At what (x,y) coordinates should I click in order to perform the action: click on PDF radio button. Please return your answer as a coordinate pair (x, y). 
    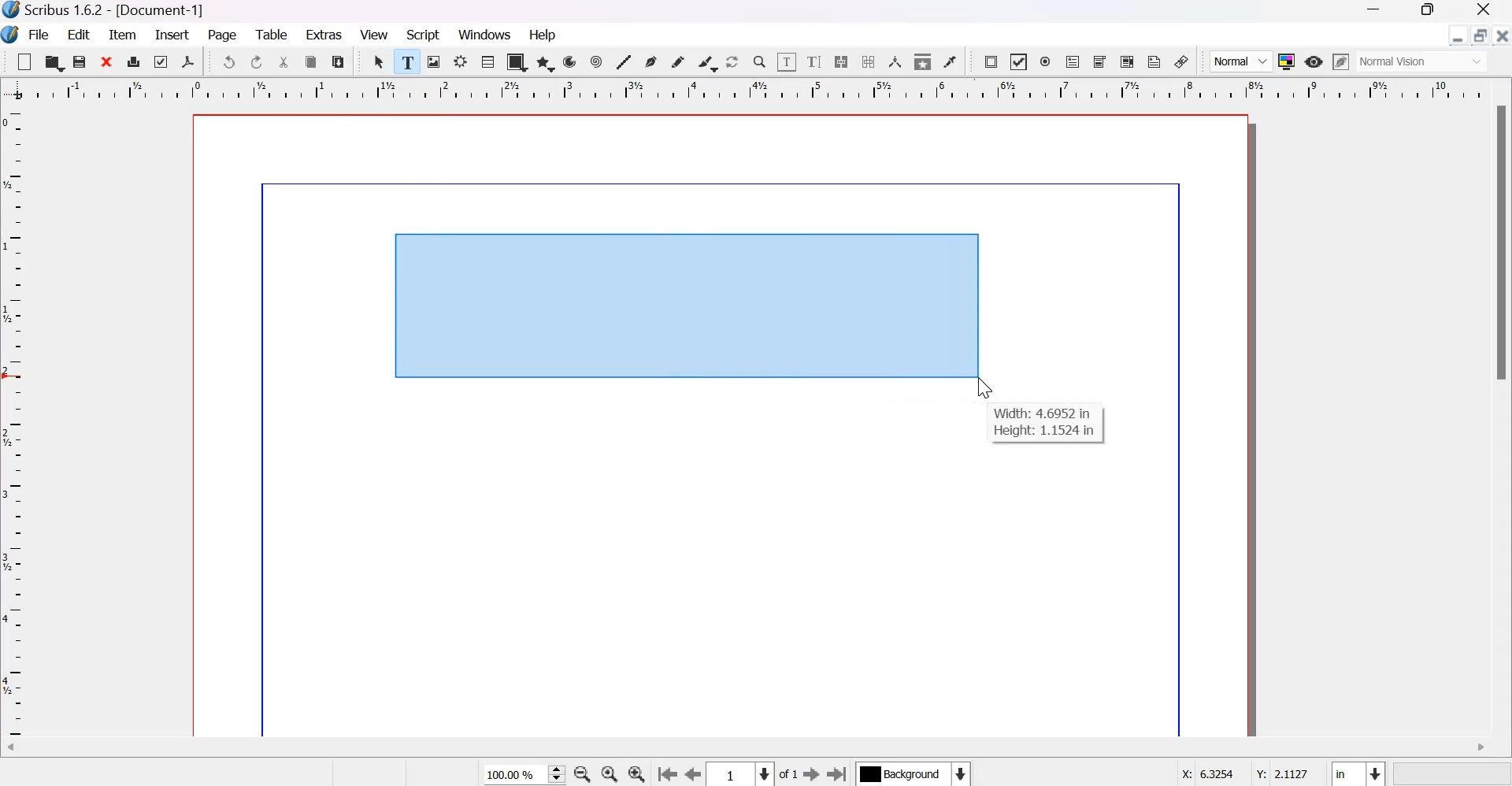
    Looking at the image, I should click on (1046, 62).